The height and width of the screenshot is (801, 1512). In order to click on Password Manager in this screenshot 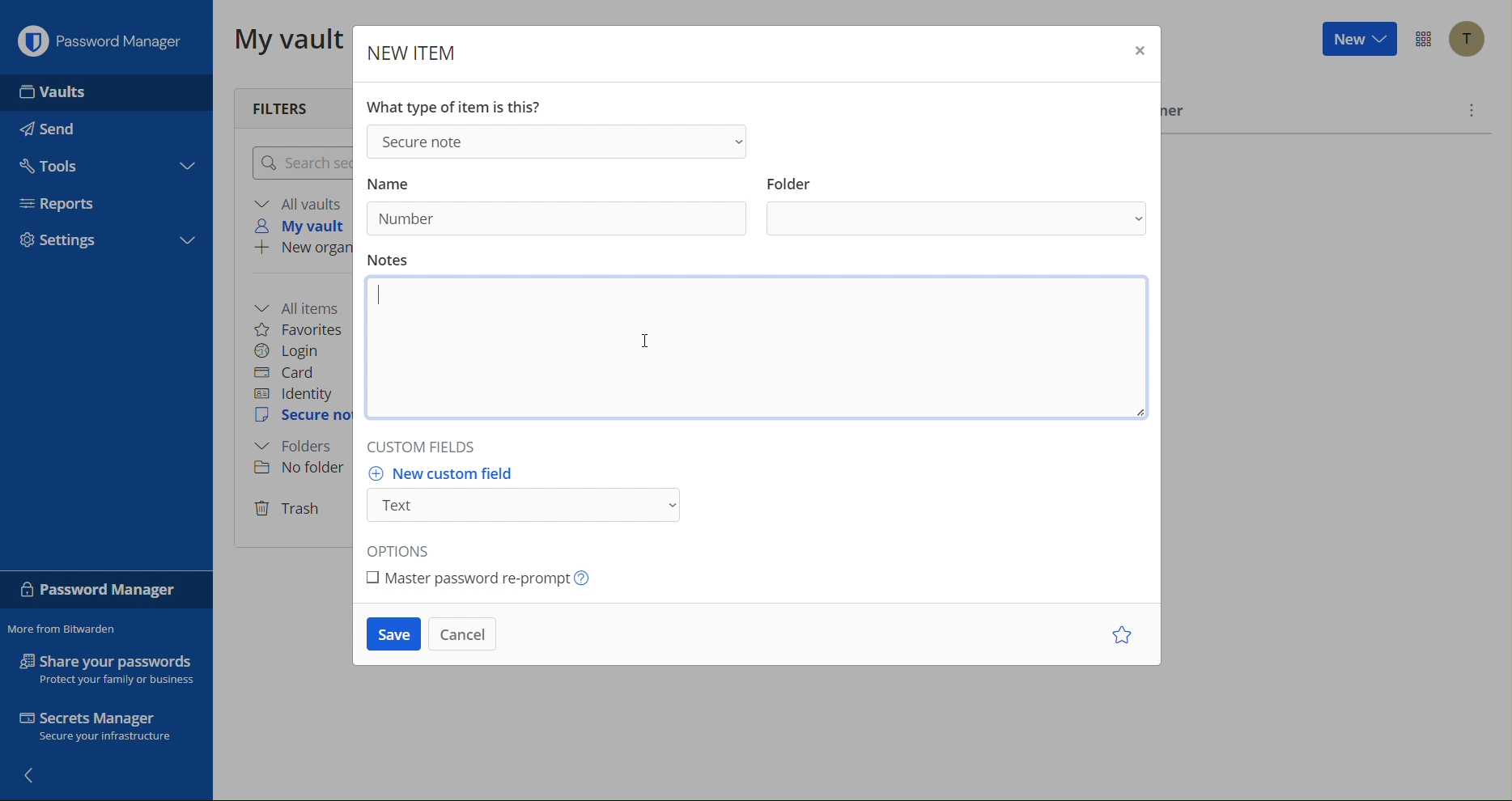, I will do `click(104, 590)`.